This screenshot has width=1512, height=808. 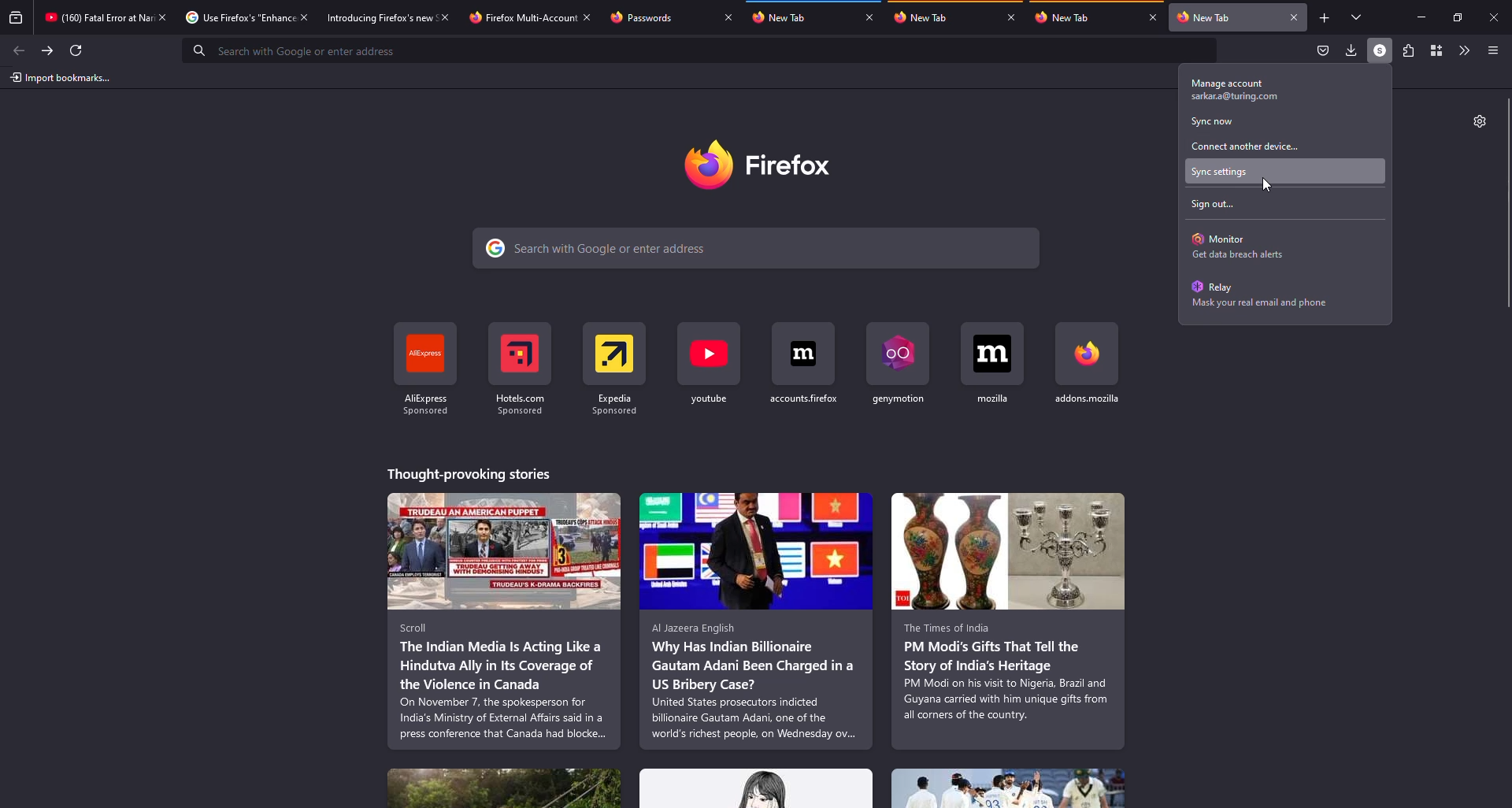 What do you see at coordinates (306, 17) in the screenshot?
I see `close` at bounding box center [306, 17].